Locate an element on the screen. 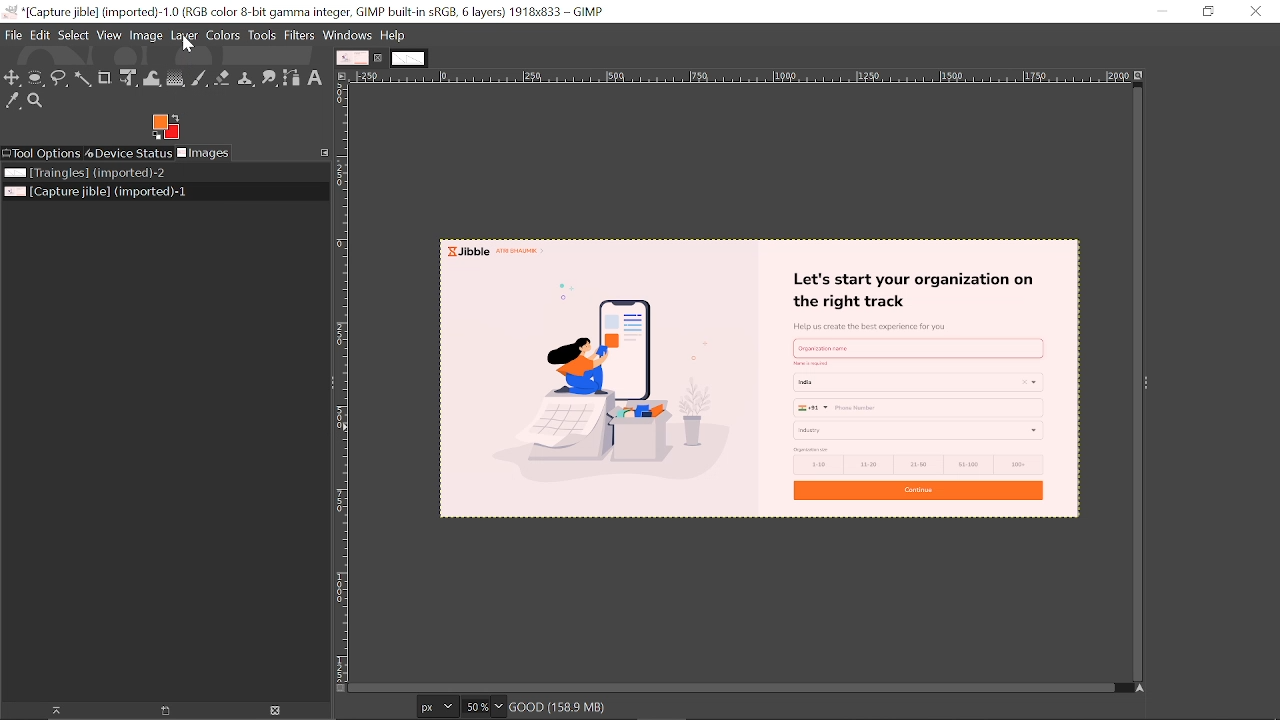  Access this image menu is located at coordinates (342, 76).